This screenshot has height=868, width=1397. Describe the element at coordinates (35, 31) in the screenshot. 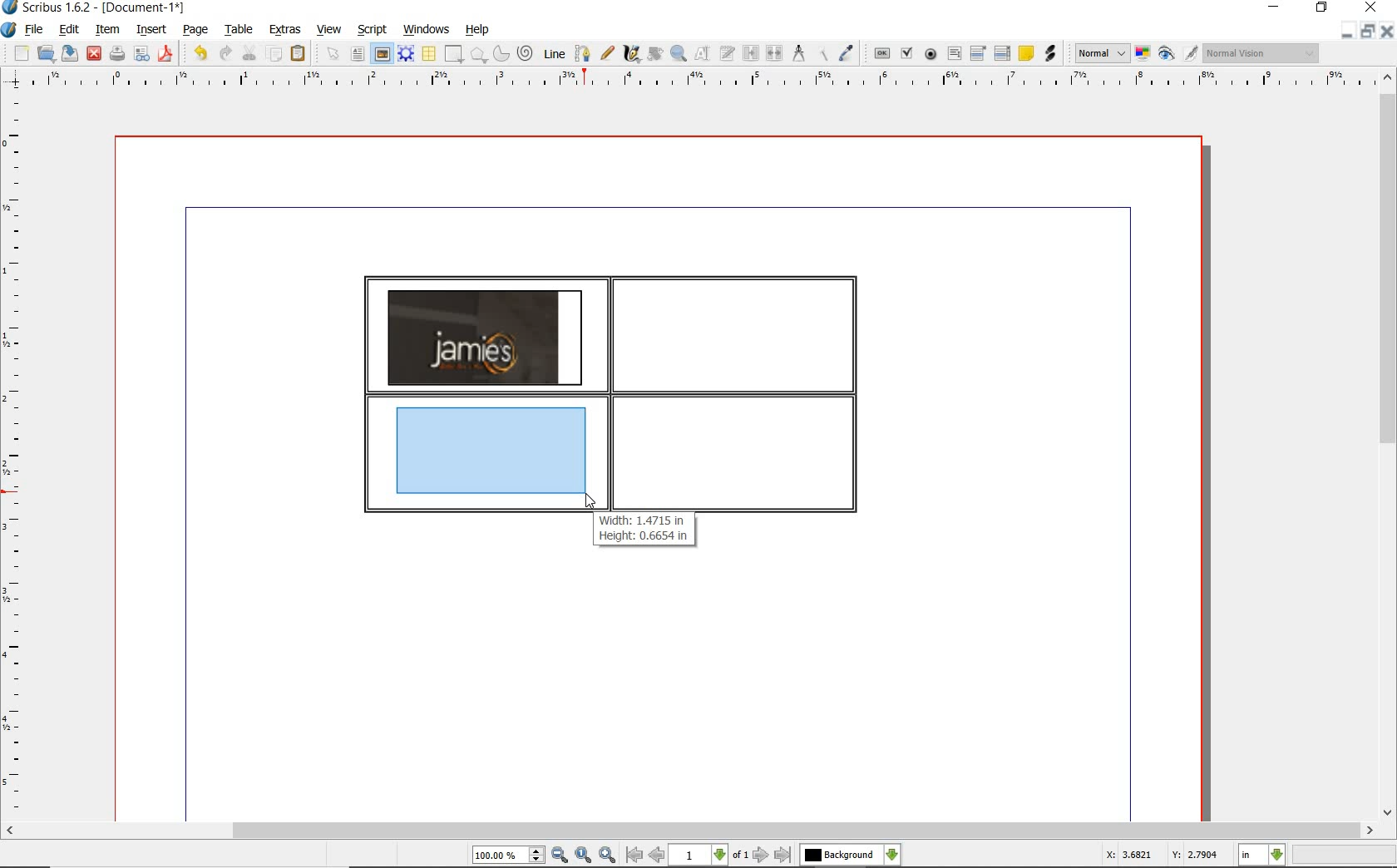

I see `file` at that location.